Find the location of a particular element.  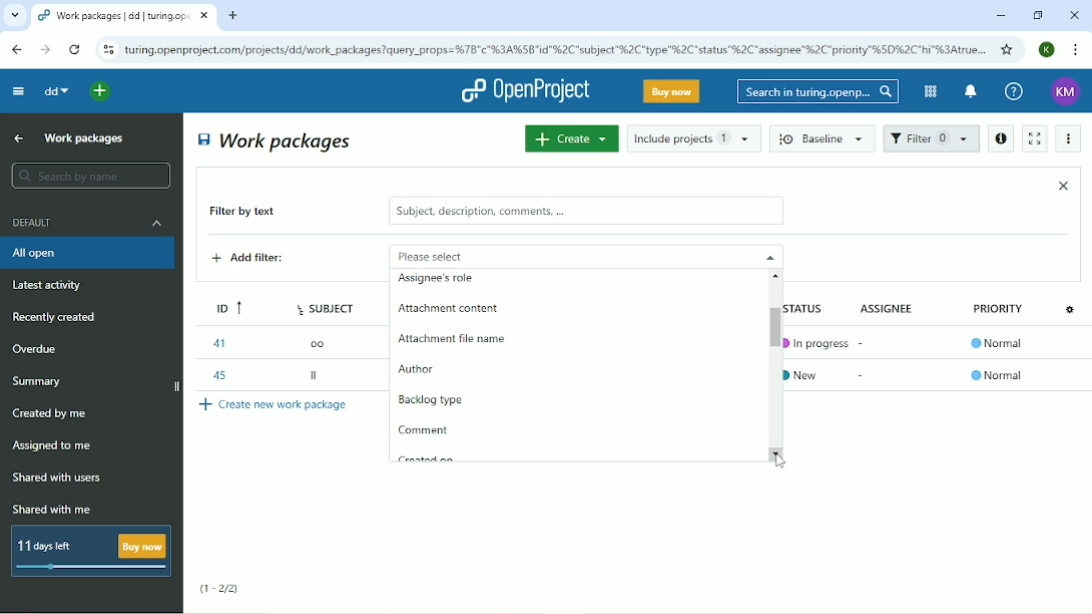

Shared with users is located at coordinates (58, 478).